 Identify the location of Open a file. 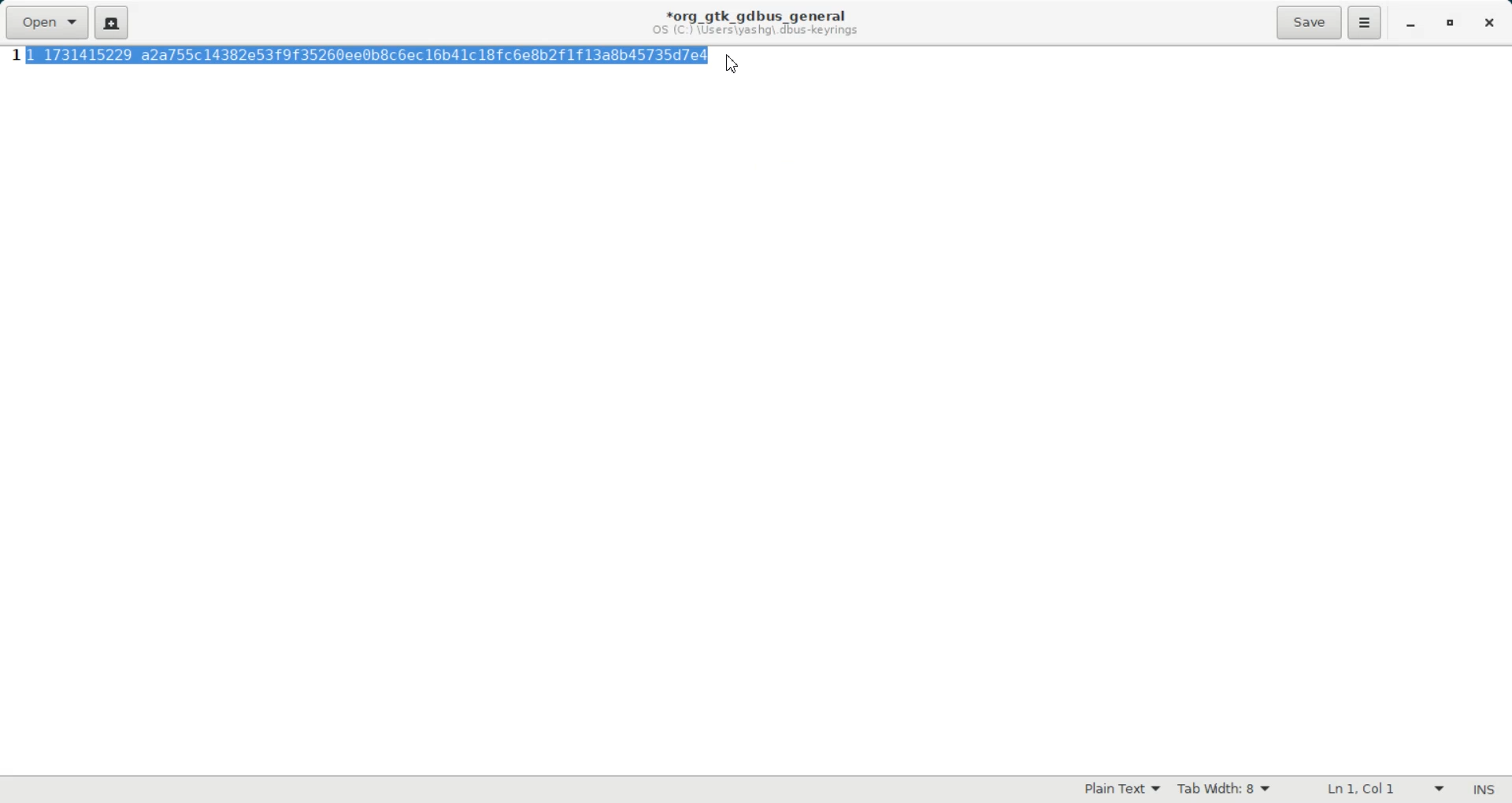
(46, 22).